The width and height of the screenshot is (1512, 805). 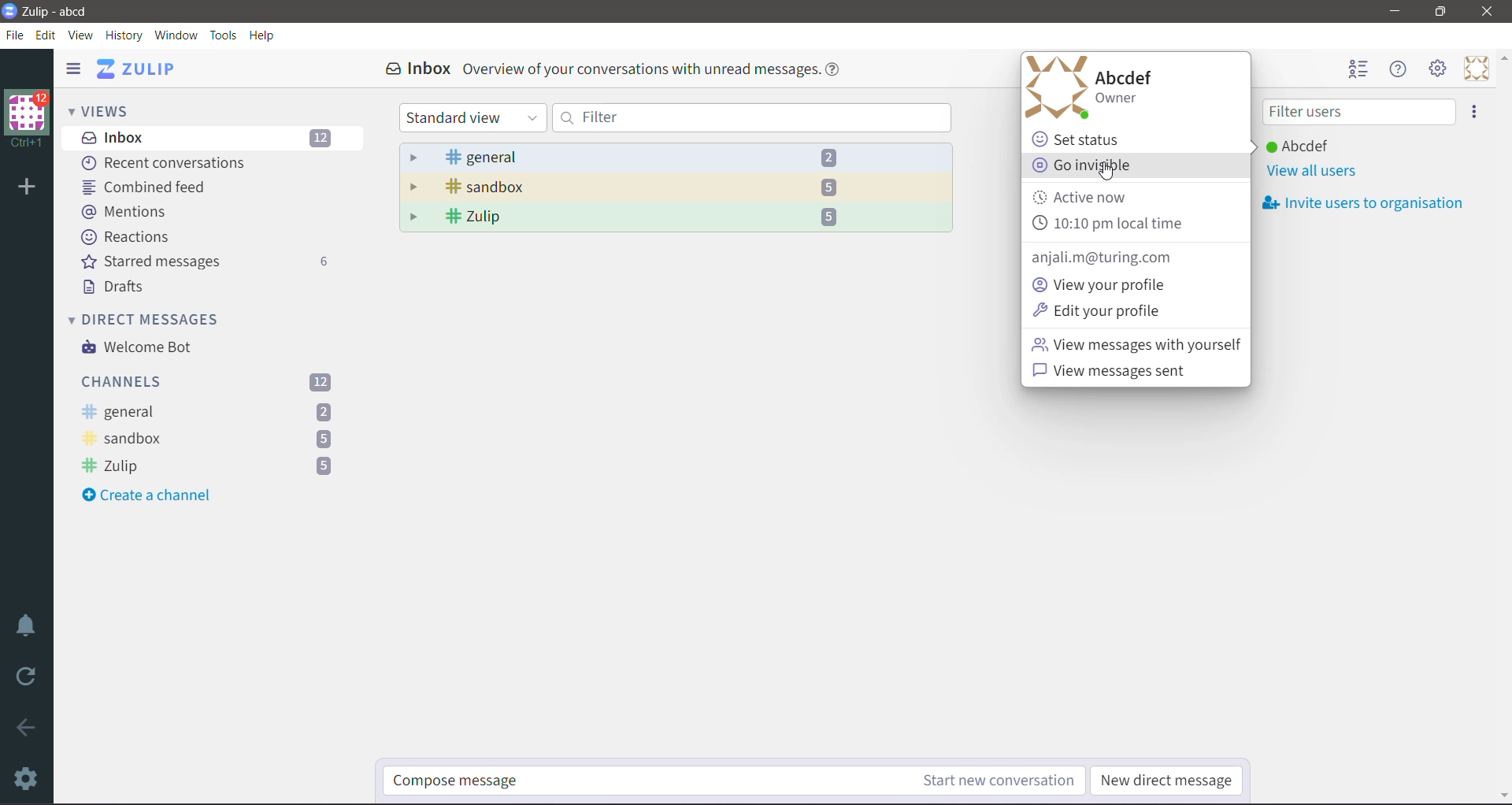 What do you see at coordinates (962, 781) in the screenshot?
I see `Start new conversation` at bounding box center [962, 781].